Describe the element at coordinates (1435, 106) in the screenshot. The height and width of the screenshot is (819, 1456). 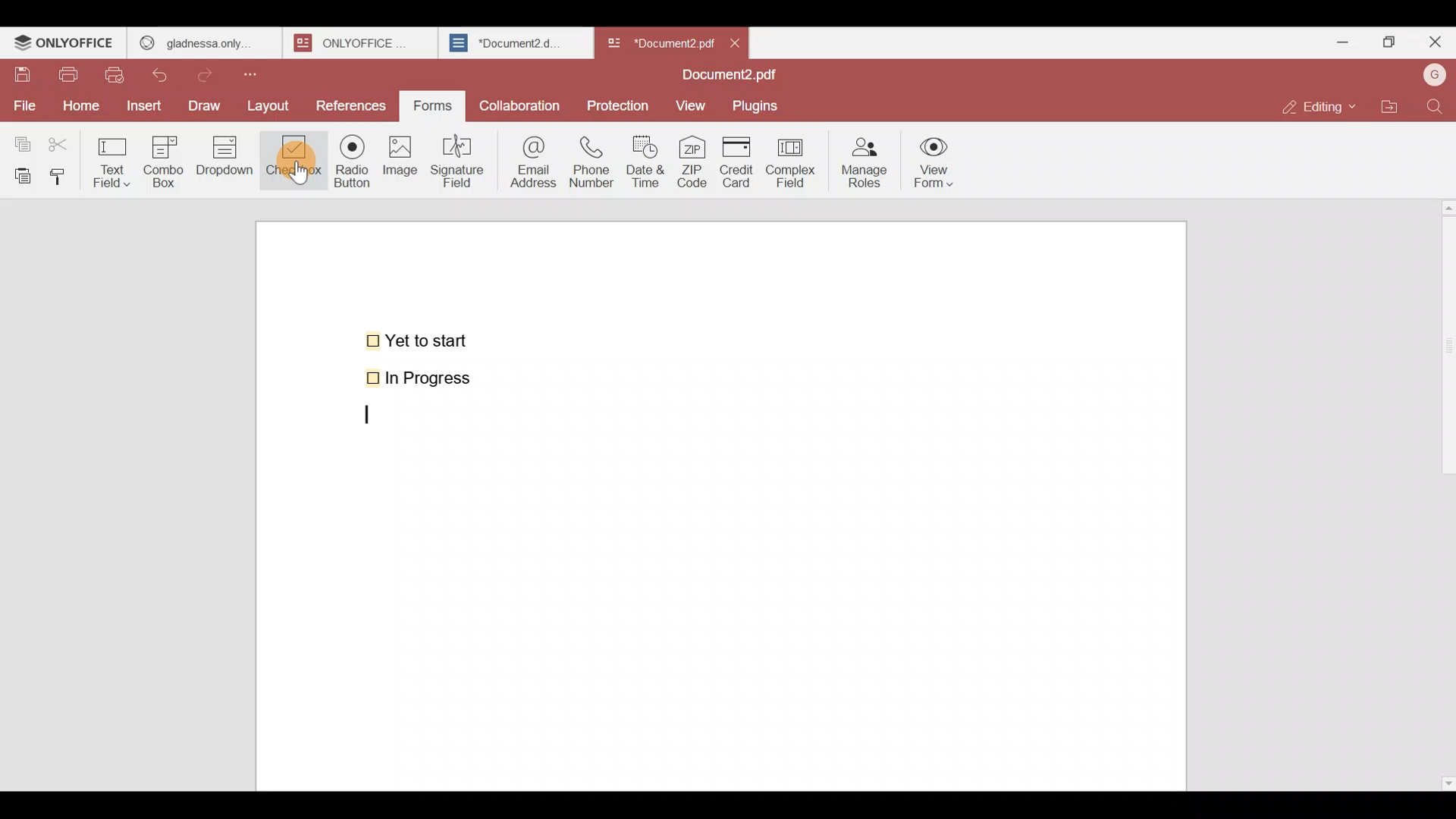
I see `Find` at that location.